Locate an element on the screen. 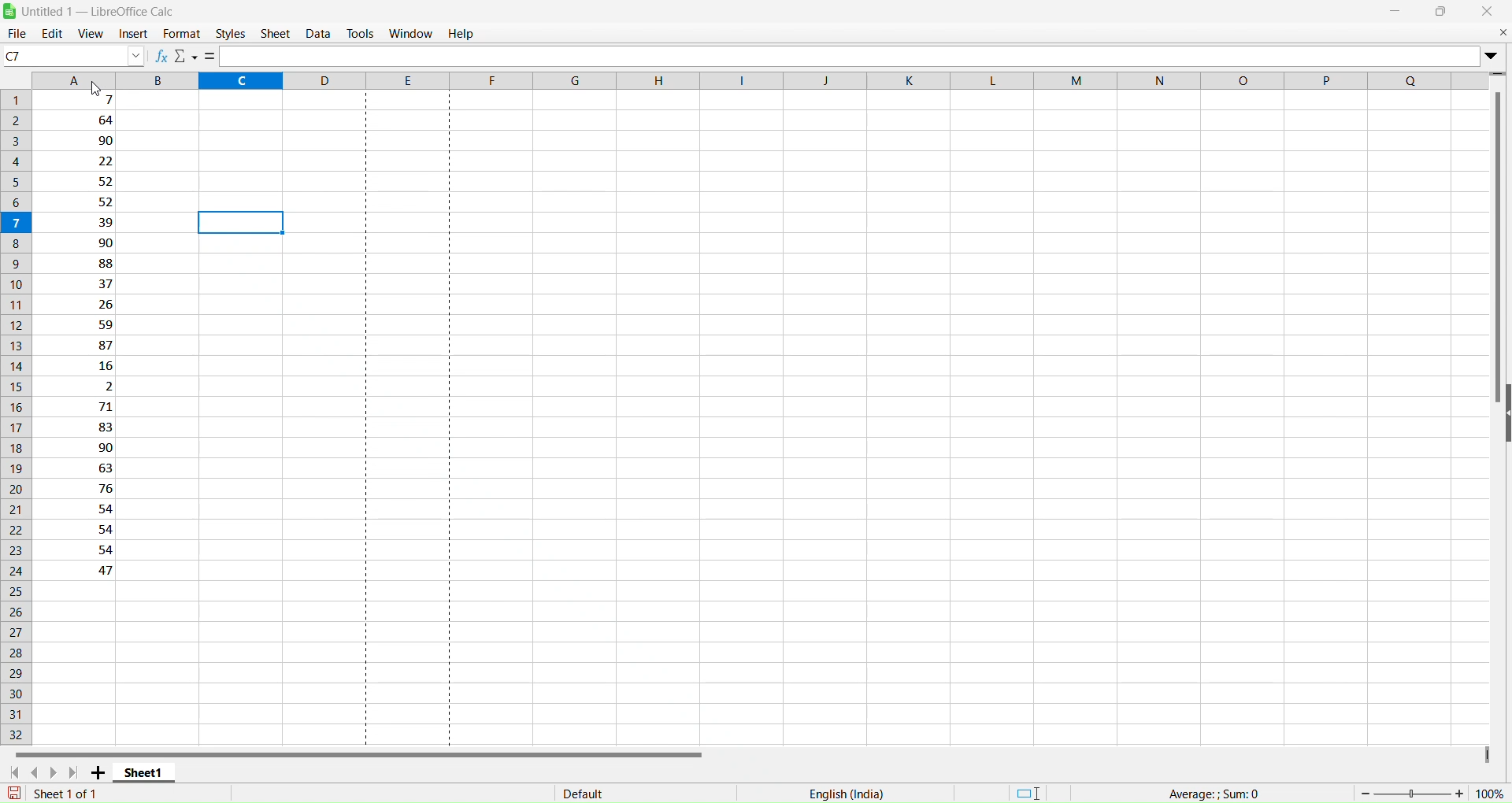 The width and height of the screenshot is (1512, 803). Vertical Scroll Bar is located at coordinates (1497, 249).